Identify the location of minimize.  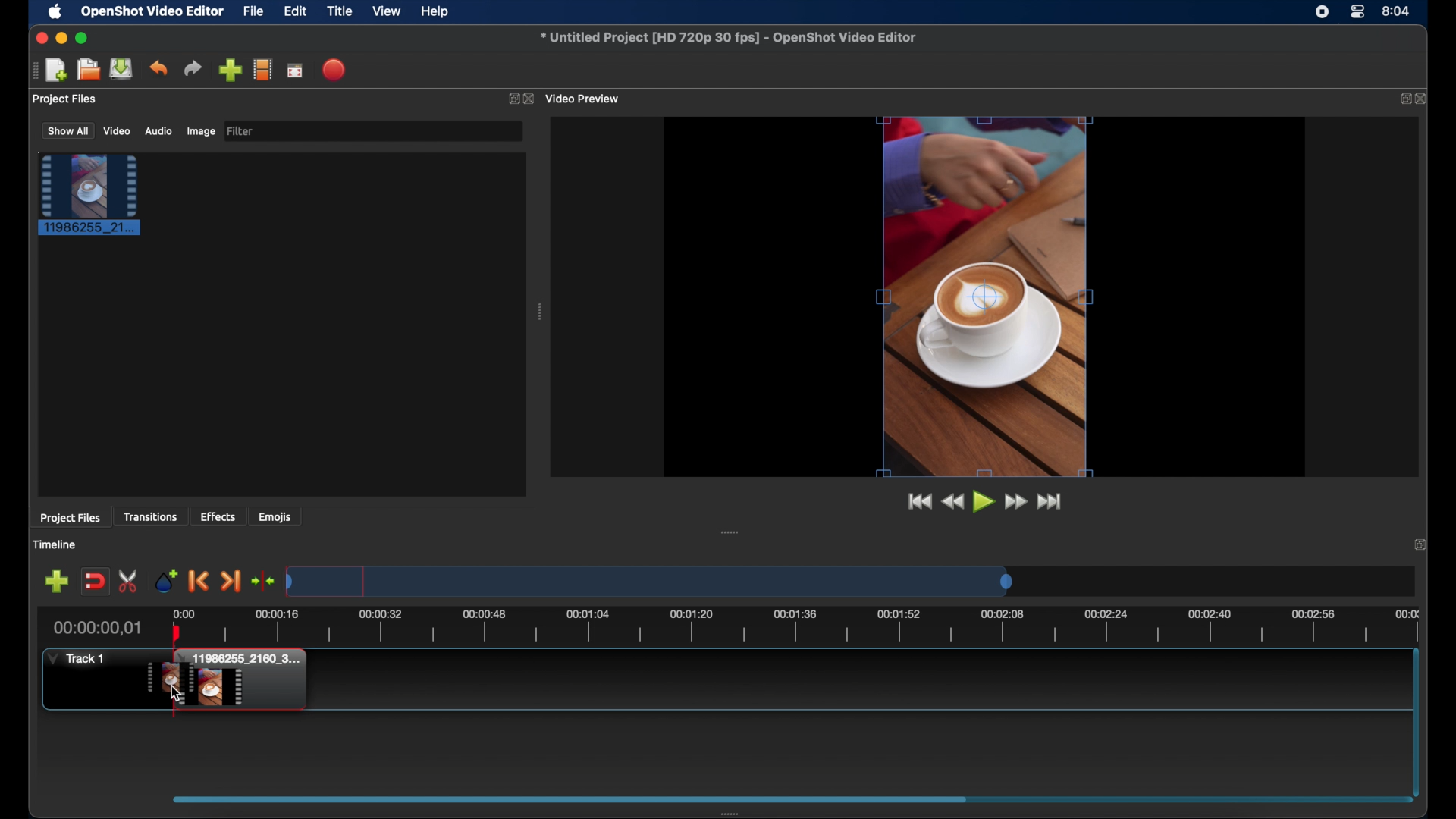
(61, 38).